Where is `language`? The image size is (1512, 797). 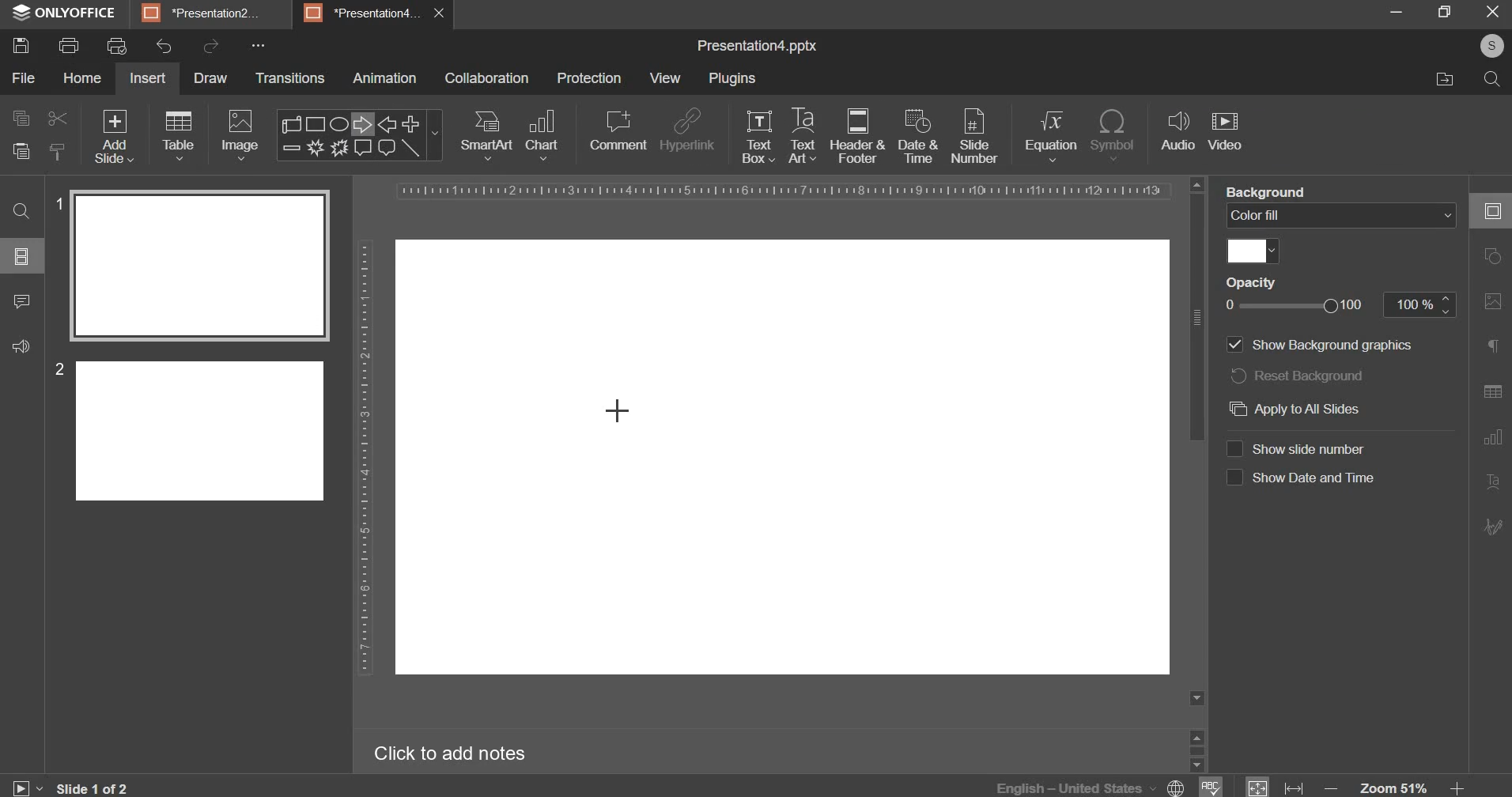
language is located at coordinates (1091, 784).